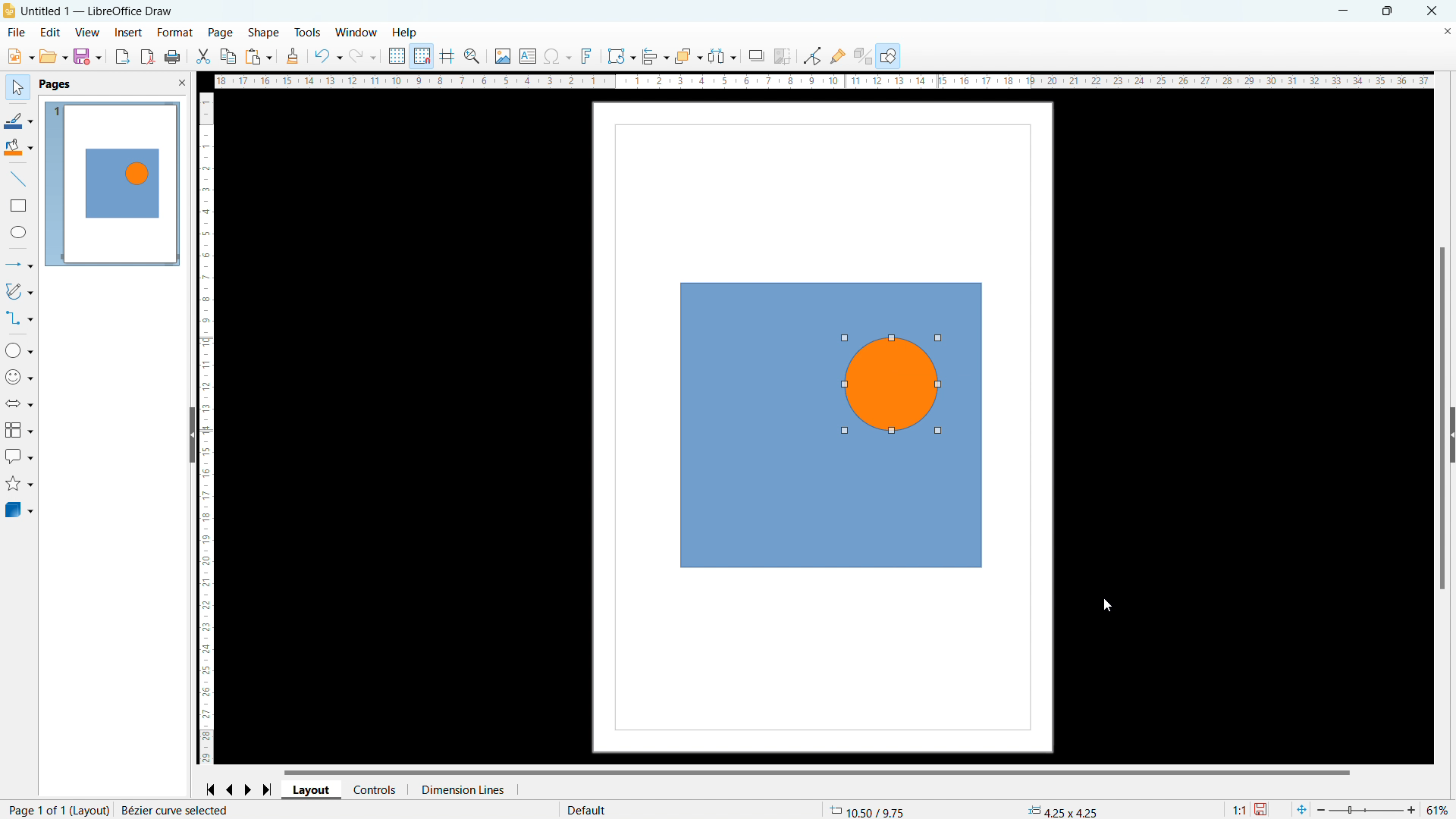 The height and width of the screenshot is (819, 1456). I want to click on logo, so click(11, 11).